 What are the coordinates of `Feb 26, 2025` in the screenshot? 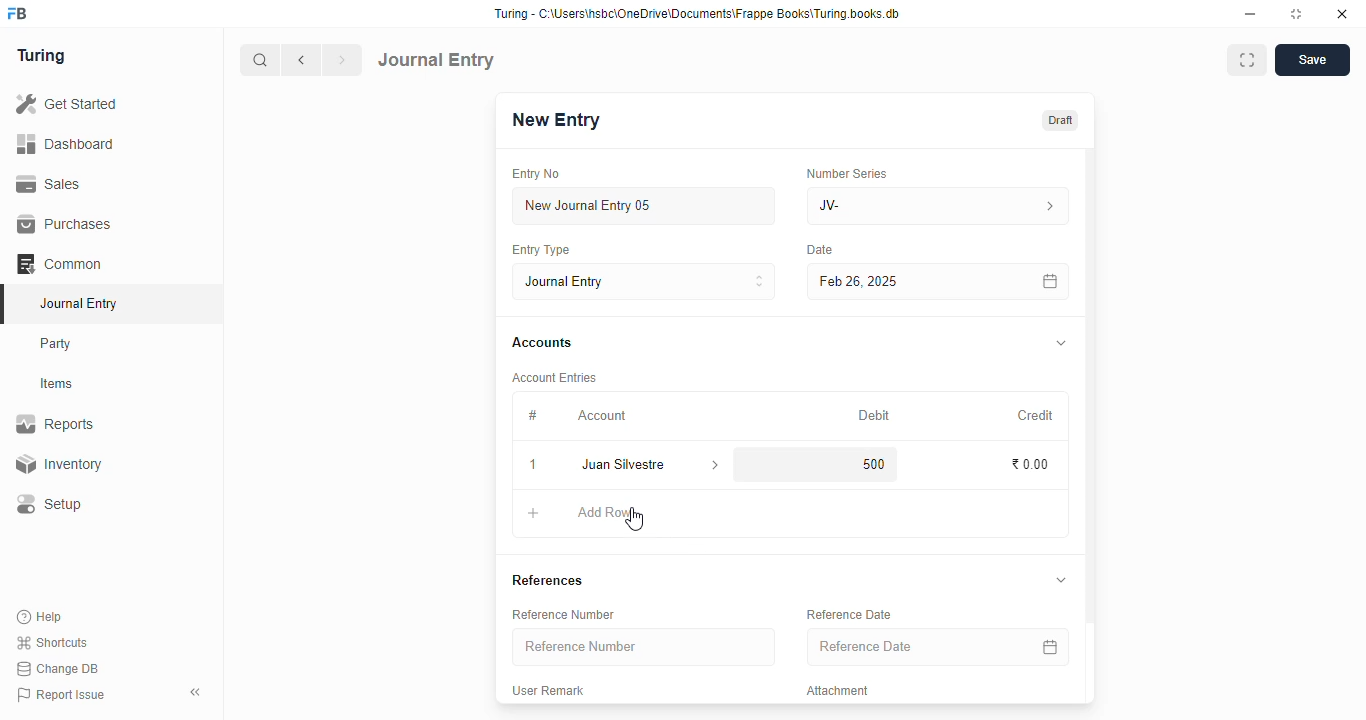 It's located at (895, 281).